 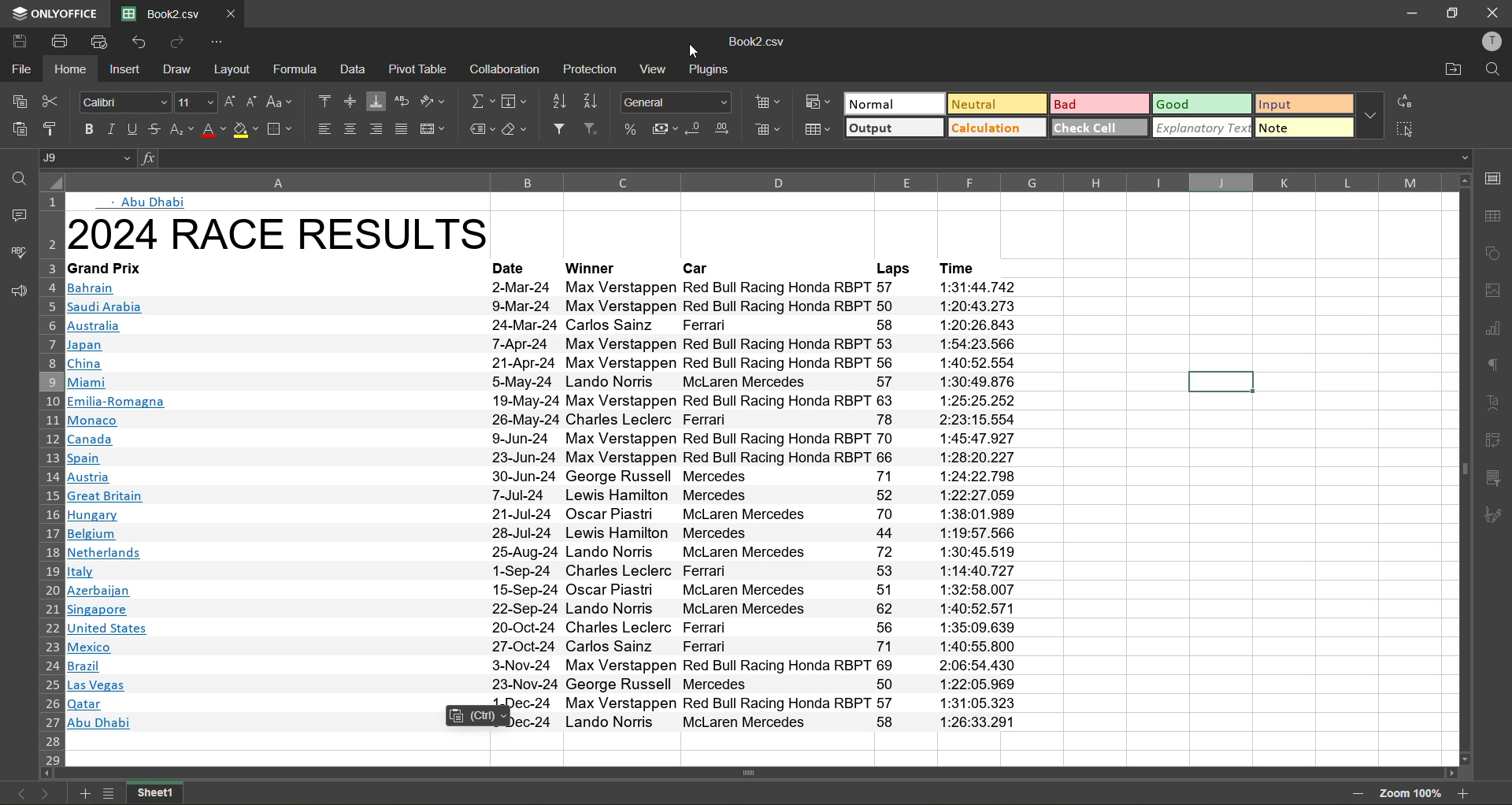 I want to click on change case, so click(x=284, y=98).